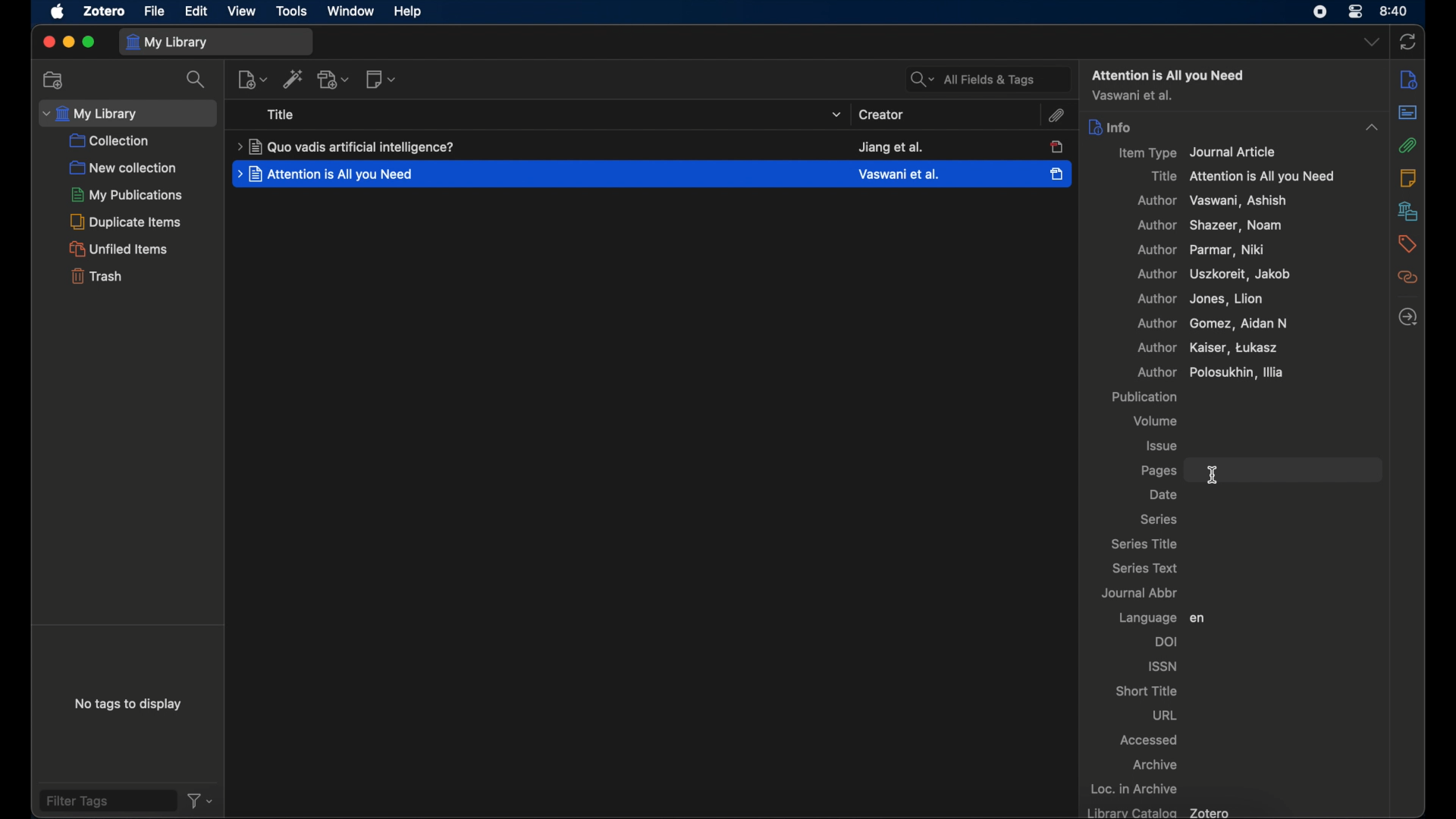  I want to click on sync, so click(1410, 41).